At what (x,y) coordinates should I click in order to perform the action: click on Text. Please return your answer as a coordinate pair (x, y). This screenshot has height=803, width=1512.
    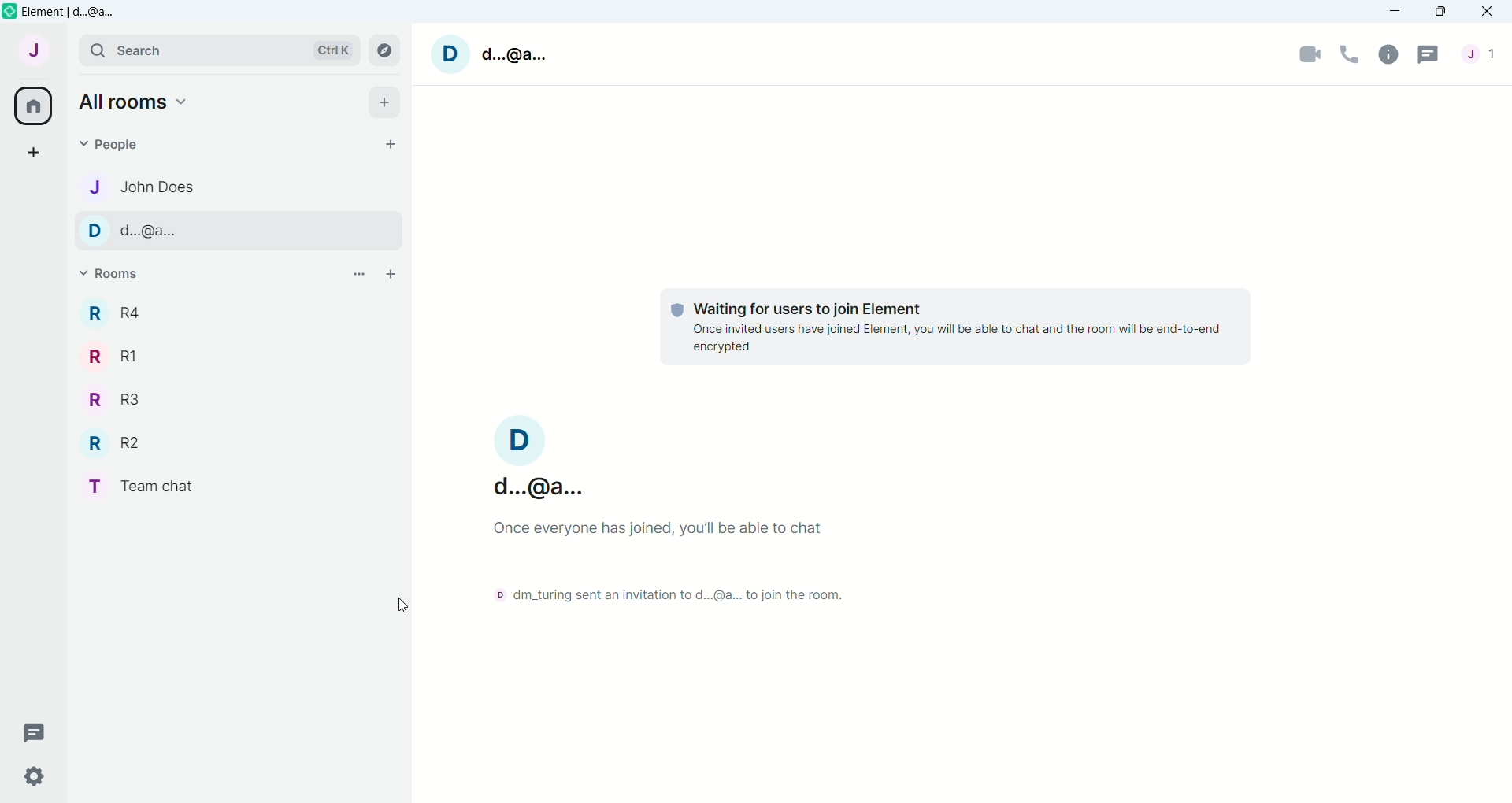
    Looking at the image, I should click on (678, 531).